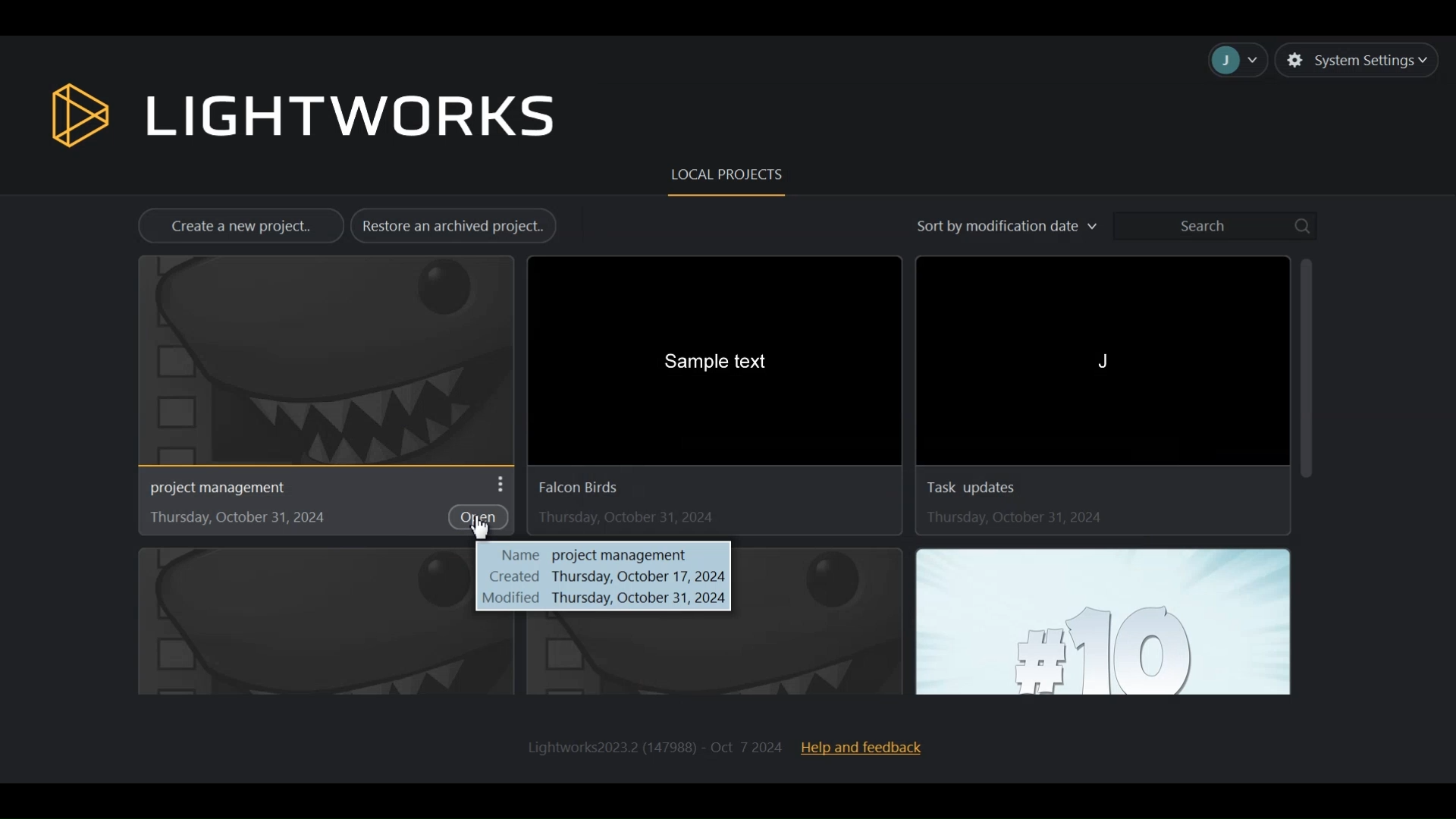  Describe the element at coordinates (701, 669) in the screenshot. I see `Name ` at that location.